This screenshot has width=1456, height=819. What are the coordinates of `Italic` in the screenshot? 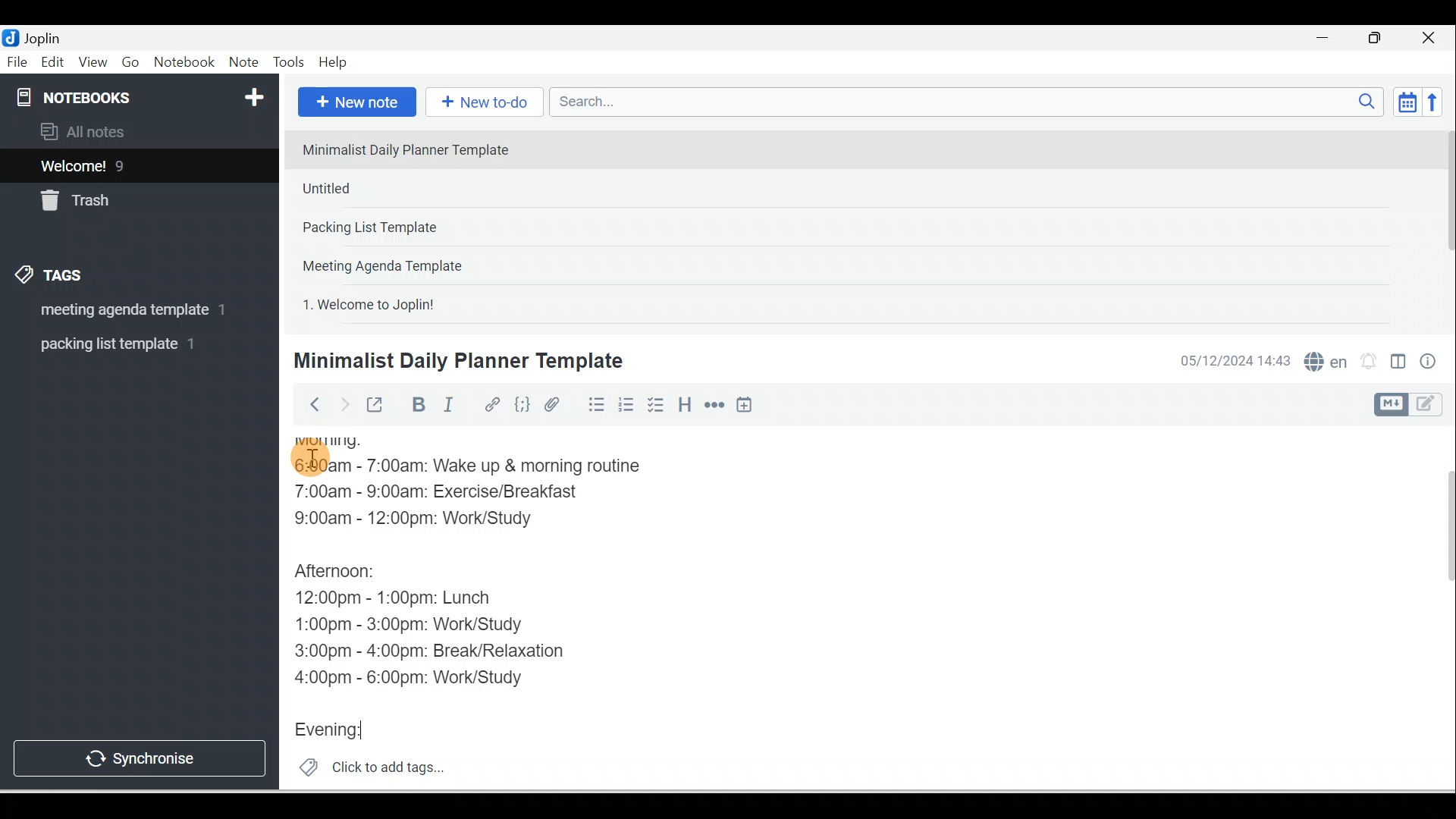 It's located at (451, 407).